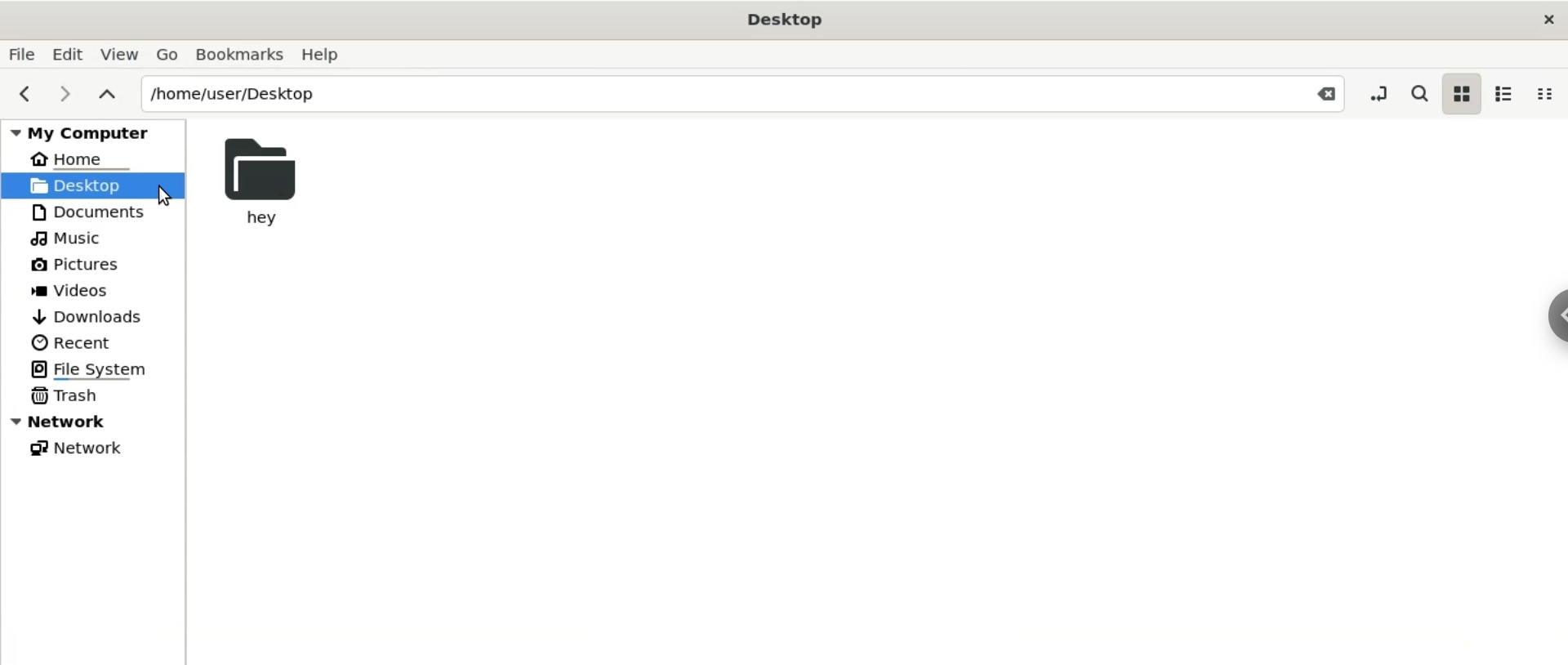 This screenshot has width=1568, height=665. Describe the element at coordinates (70, 237) in the screenshot. I see `Music` at that location.